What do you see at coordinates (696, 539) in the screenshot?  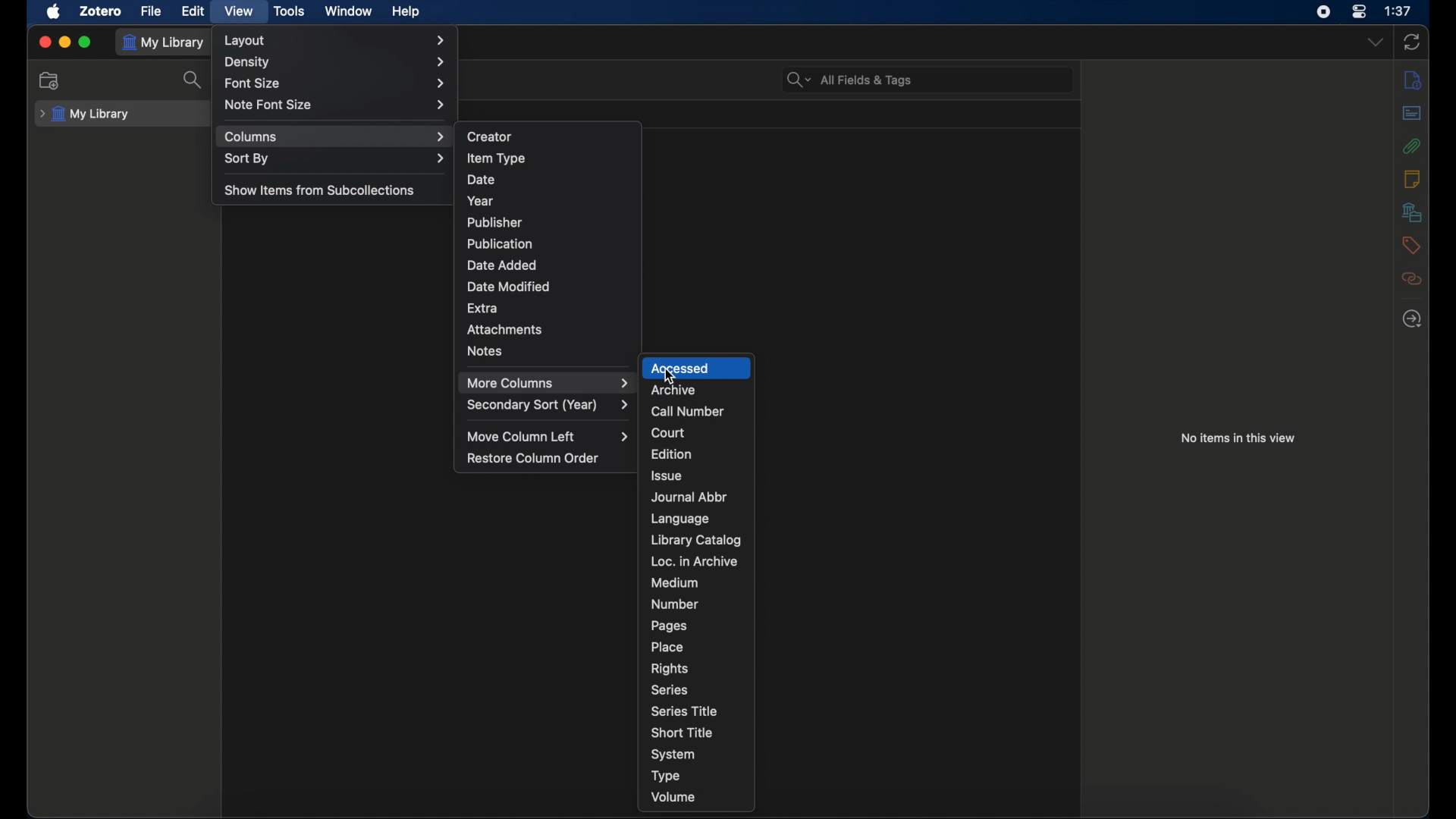 I see `library catalog` at bounding box center [696, 539].